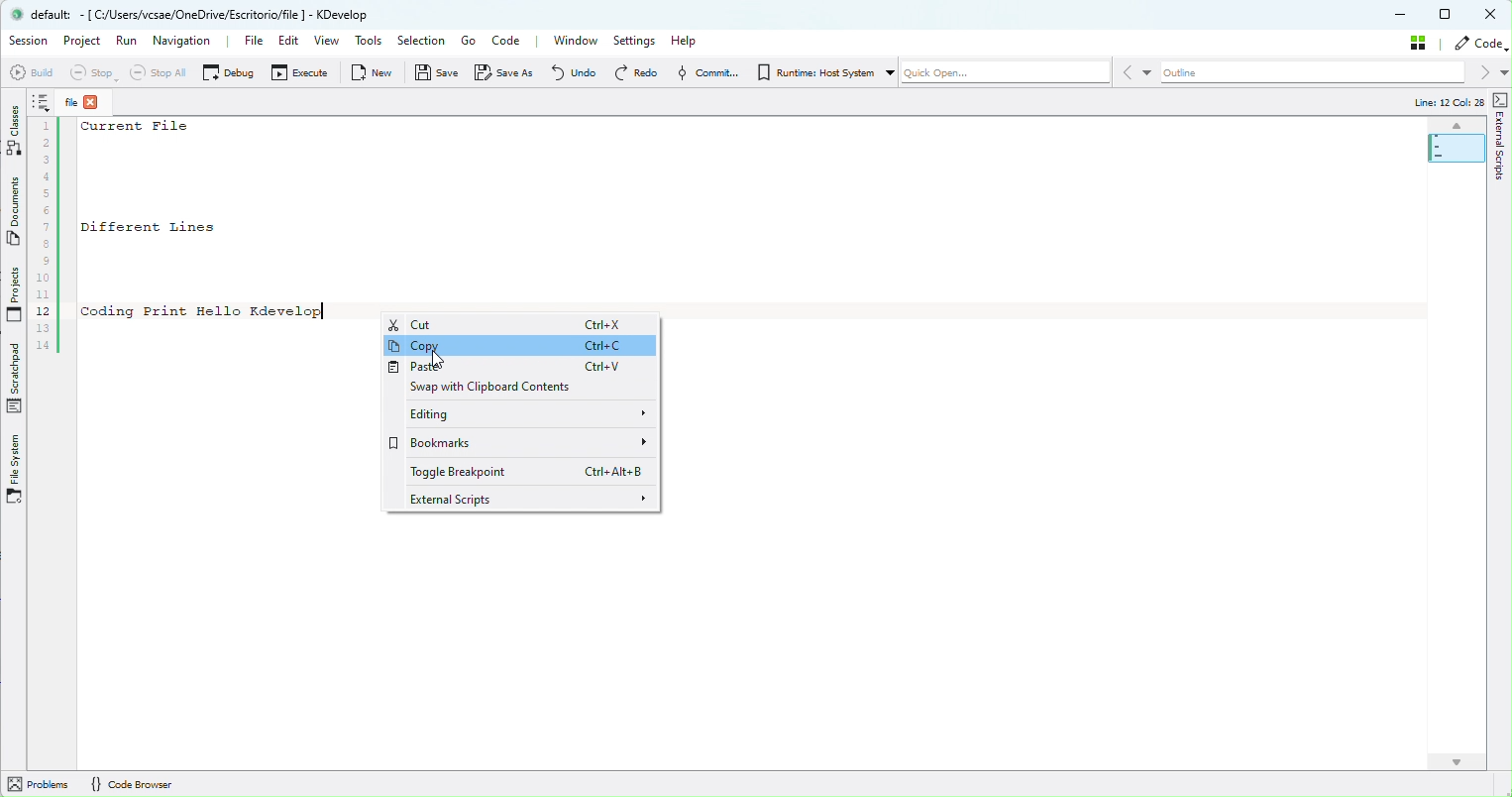  Describe the element at coordinates (1449, 15) in the screenshot. I see `Box` at that location.